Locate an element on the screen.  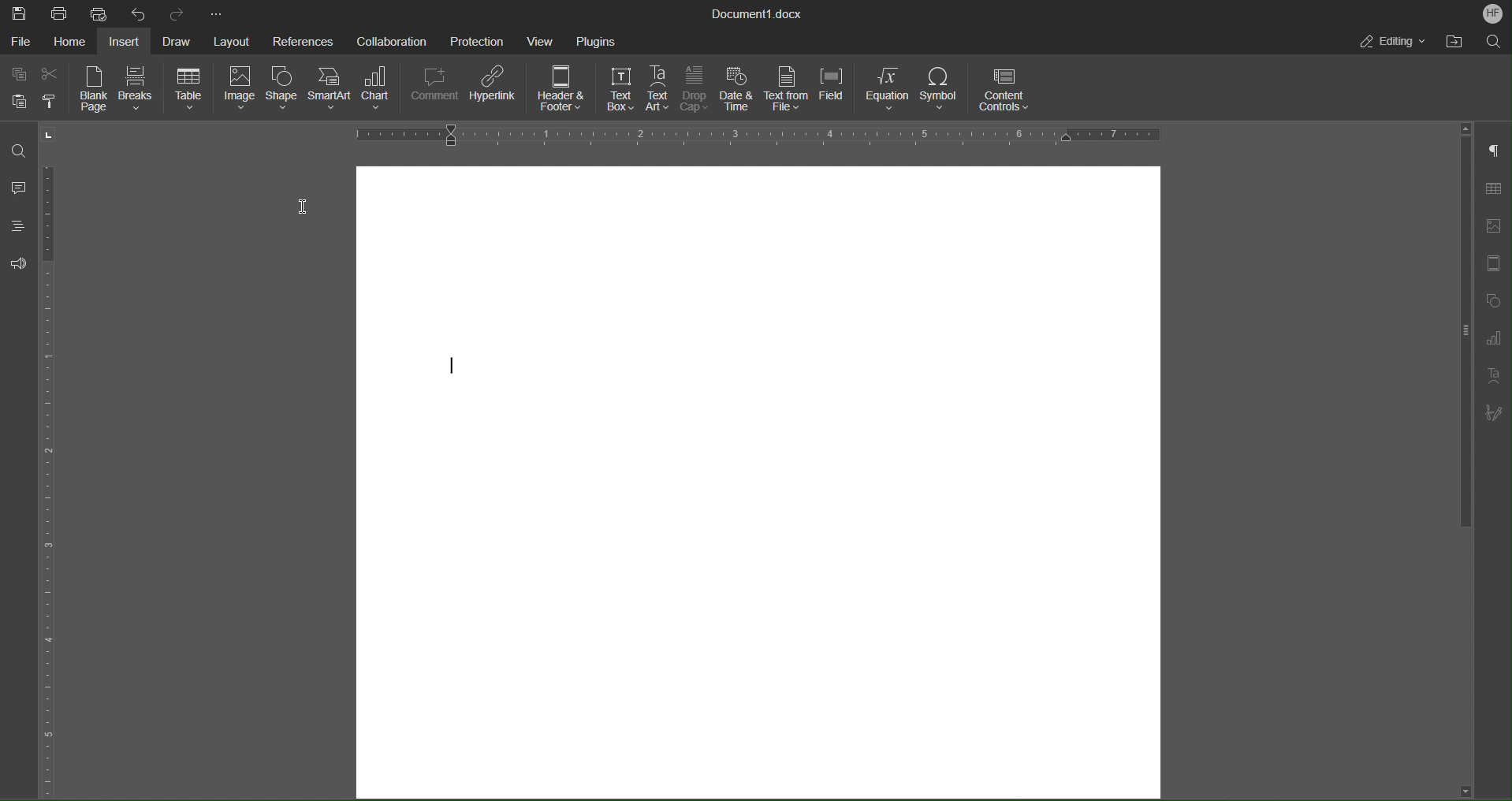
Paste is located at coordinates (20, 102).